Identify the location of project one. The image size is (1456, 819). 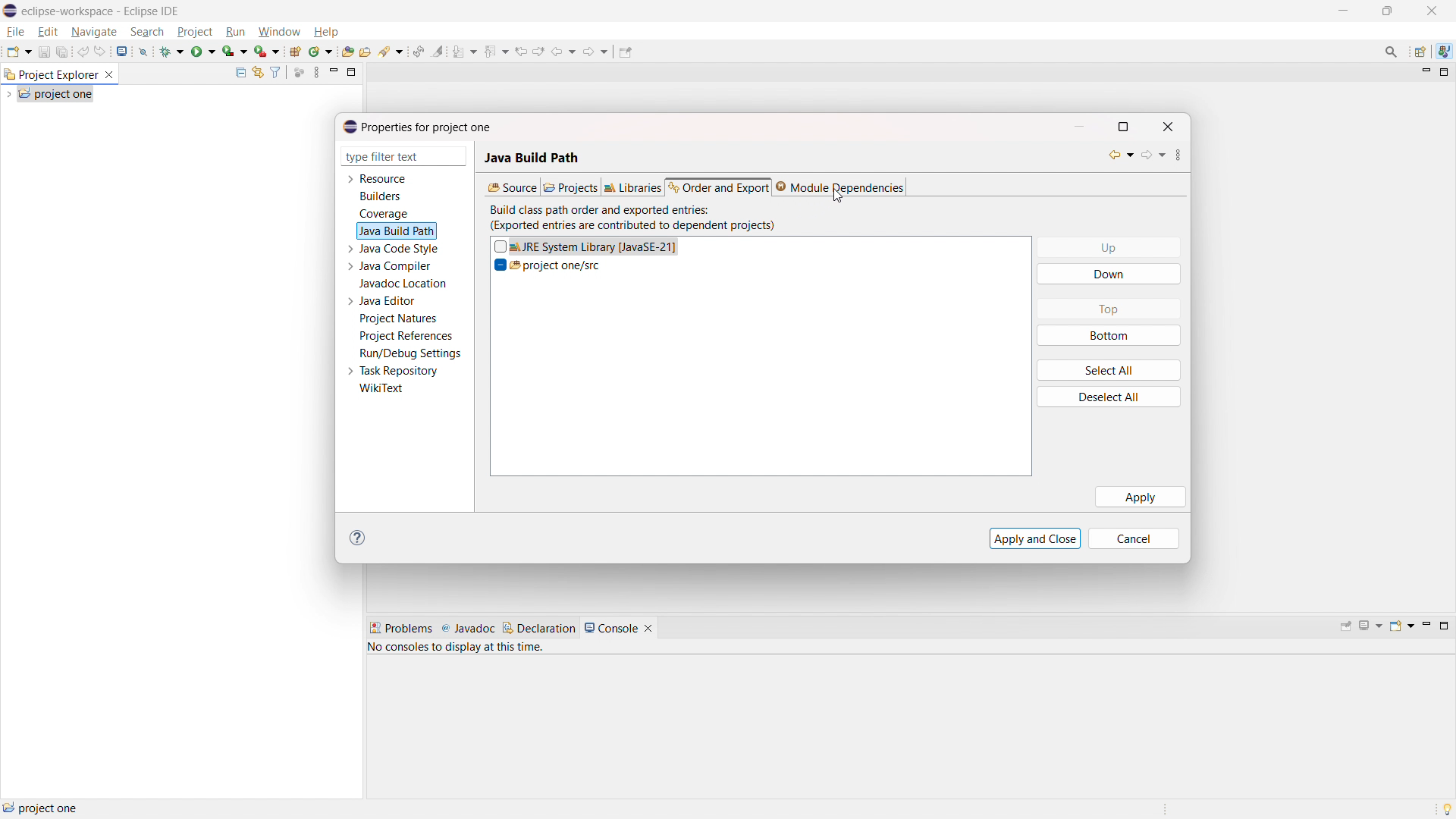
(42, 808).